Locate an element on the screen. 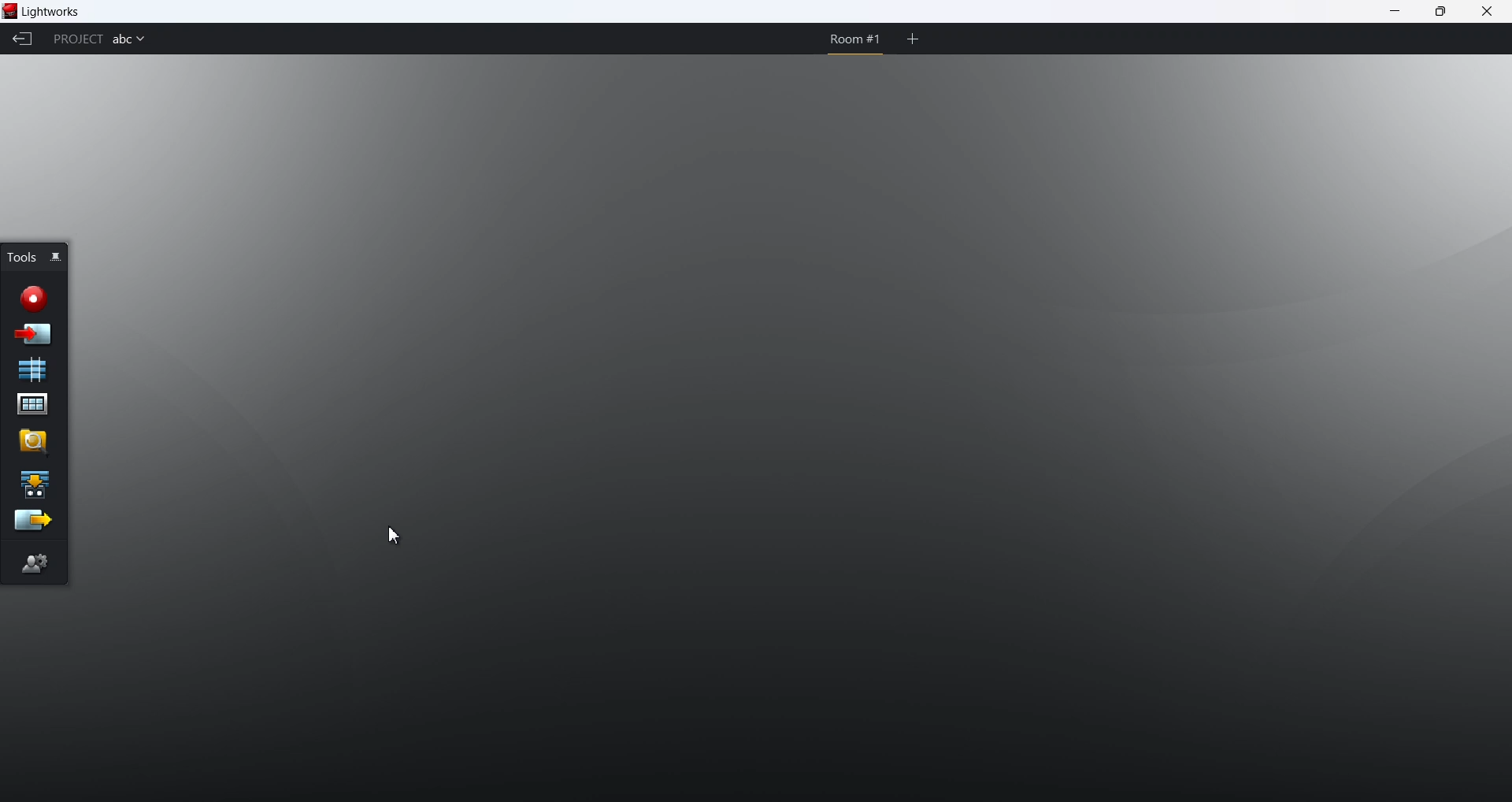  project name is located at coordinates (129, 41).